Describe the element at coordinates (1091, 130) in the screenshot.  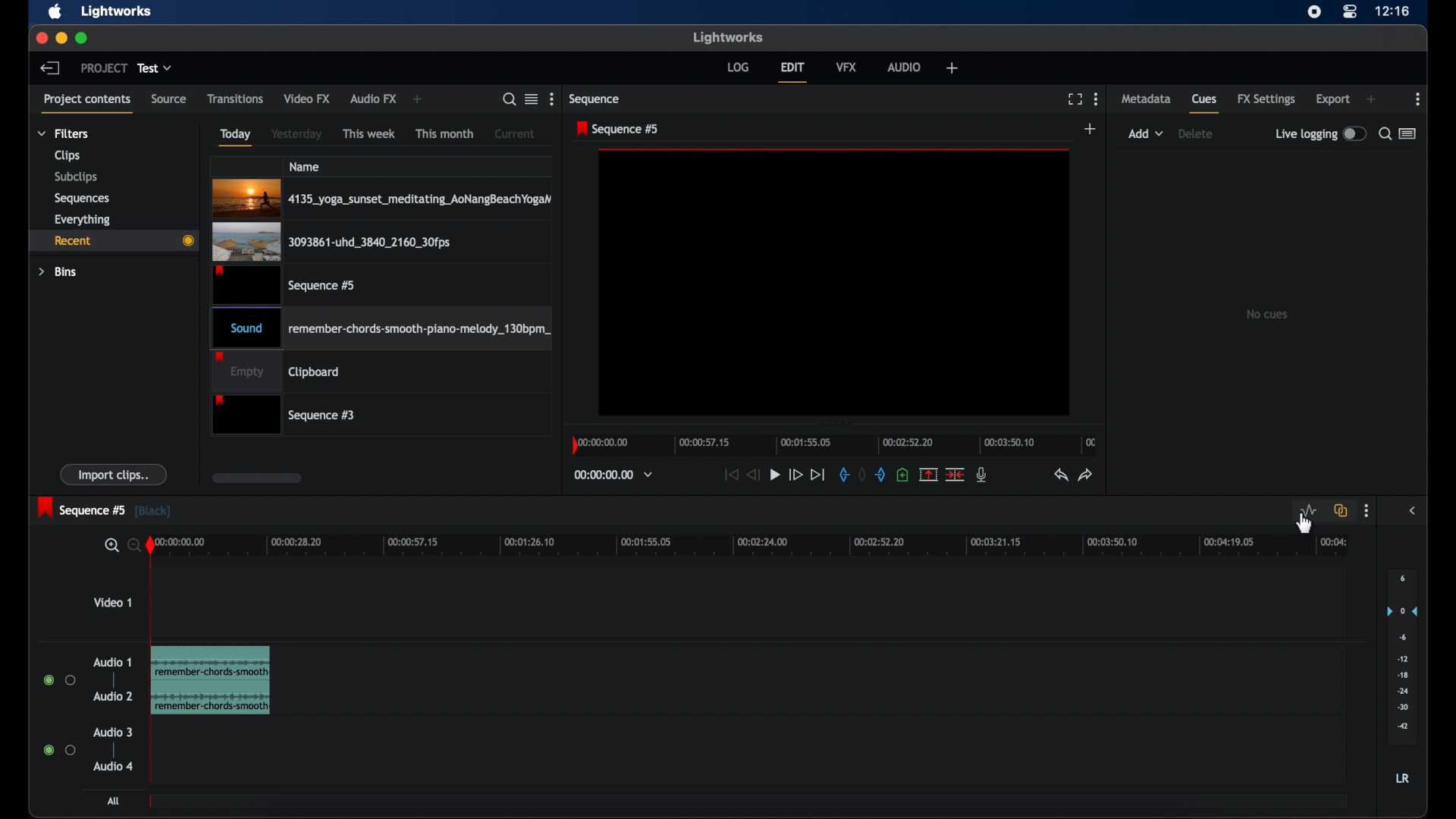
I see `add` at that location.